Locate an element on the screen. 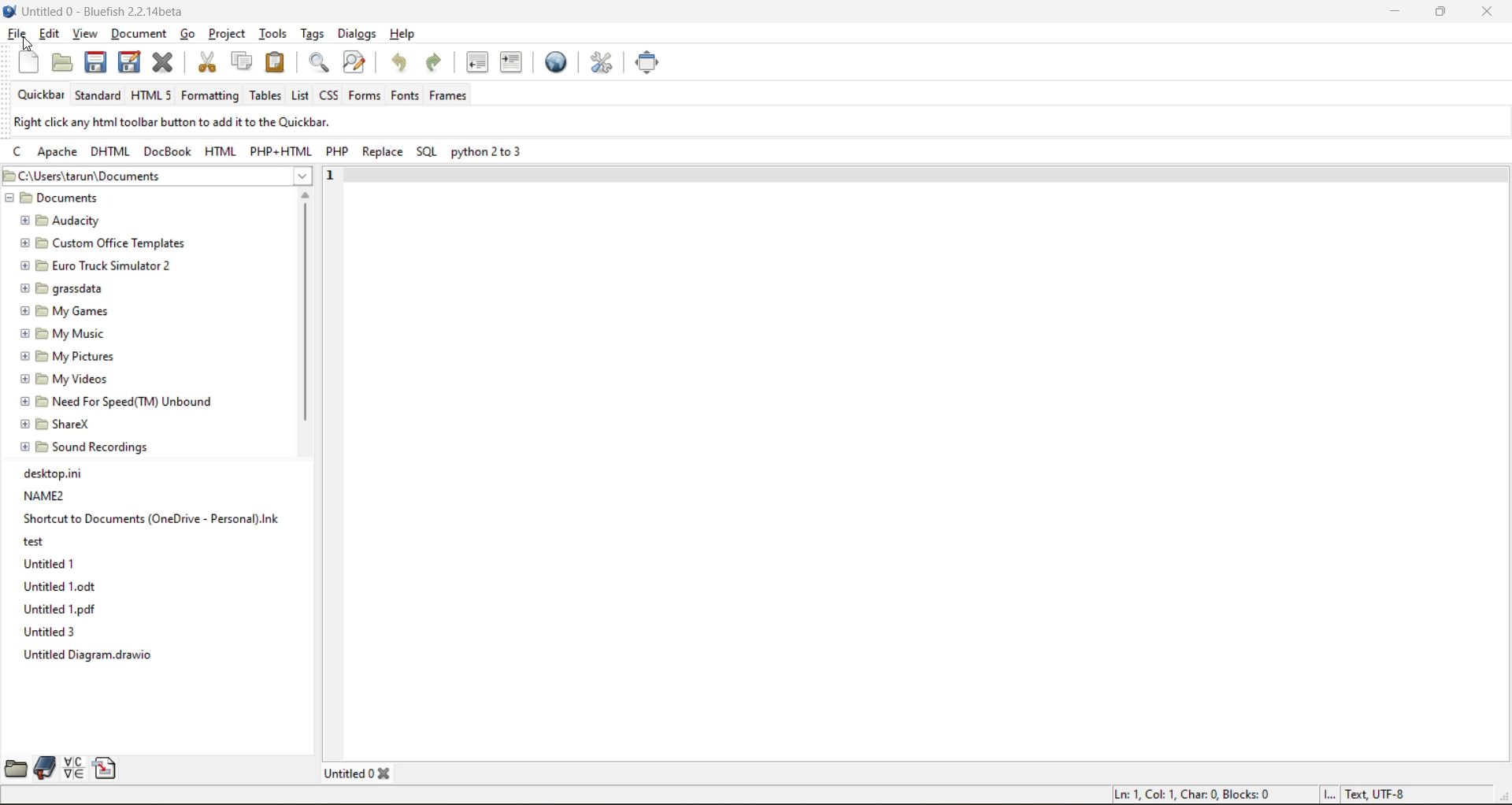  c is located at coordinates (17, 154).